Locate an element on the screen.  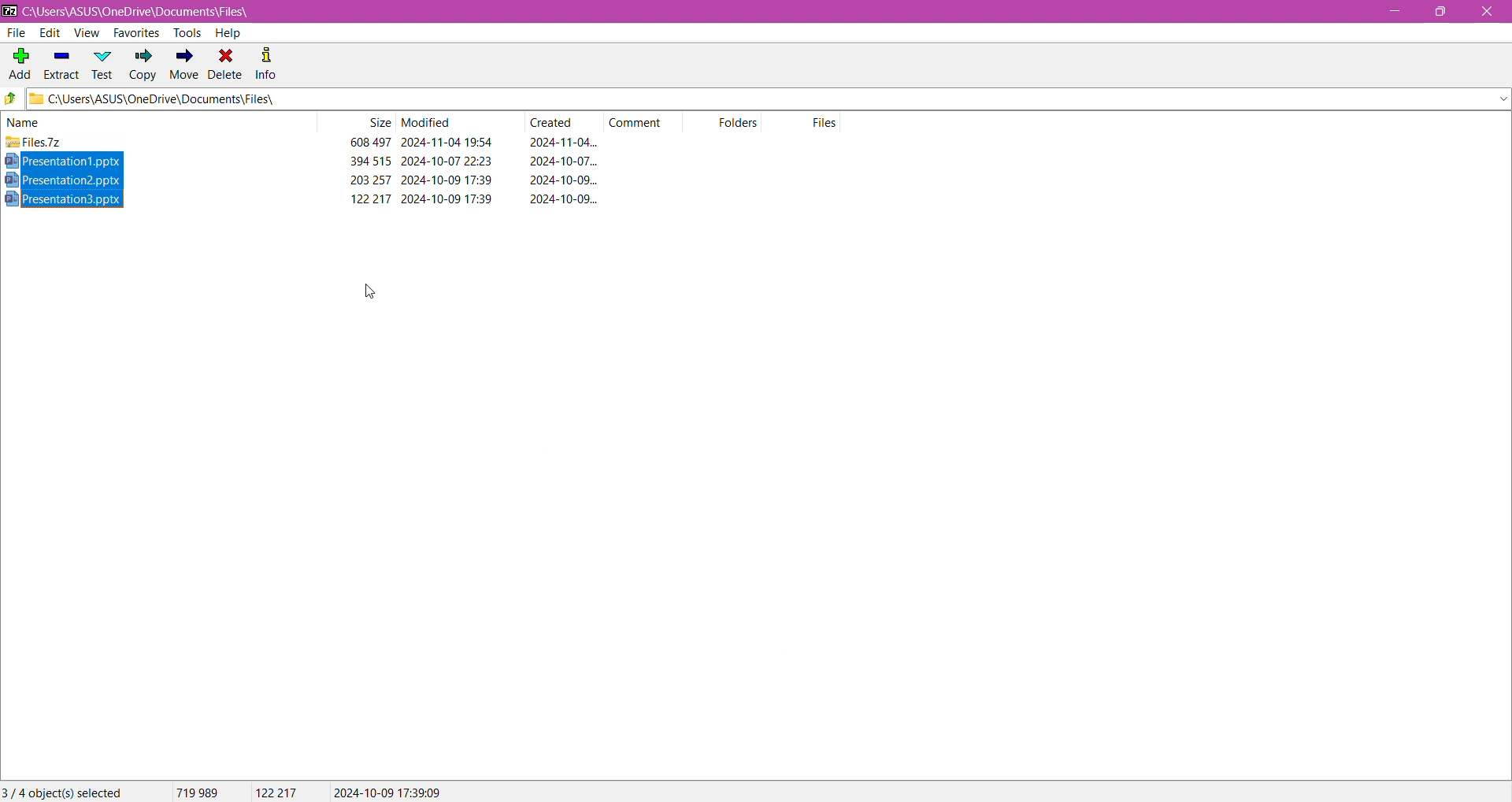
Presentation3.pptx 122217 2024-10-09 17:39 2024-10-09... is located at coordinates (311, 199).